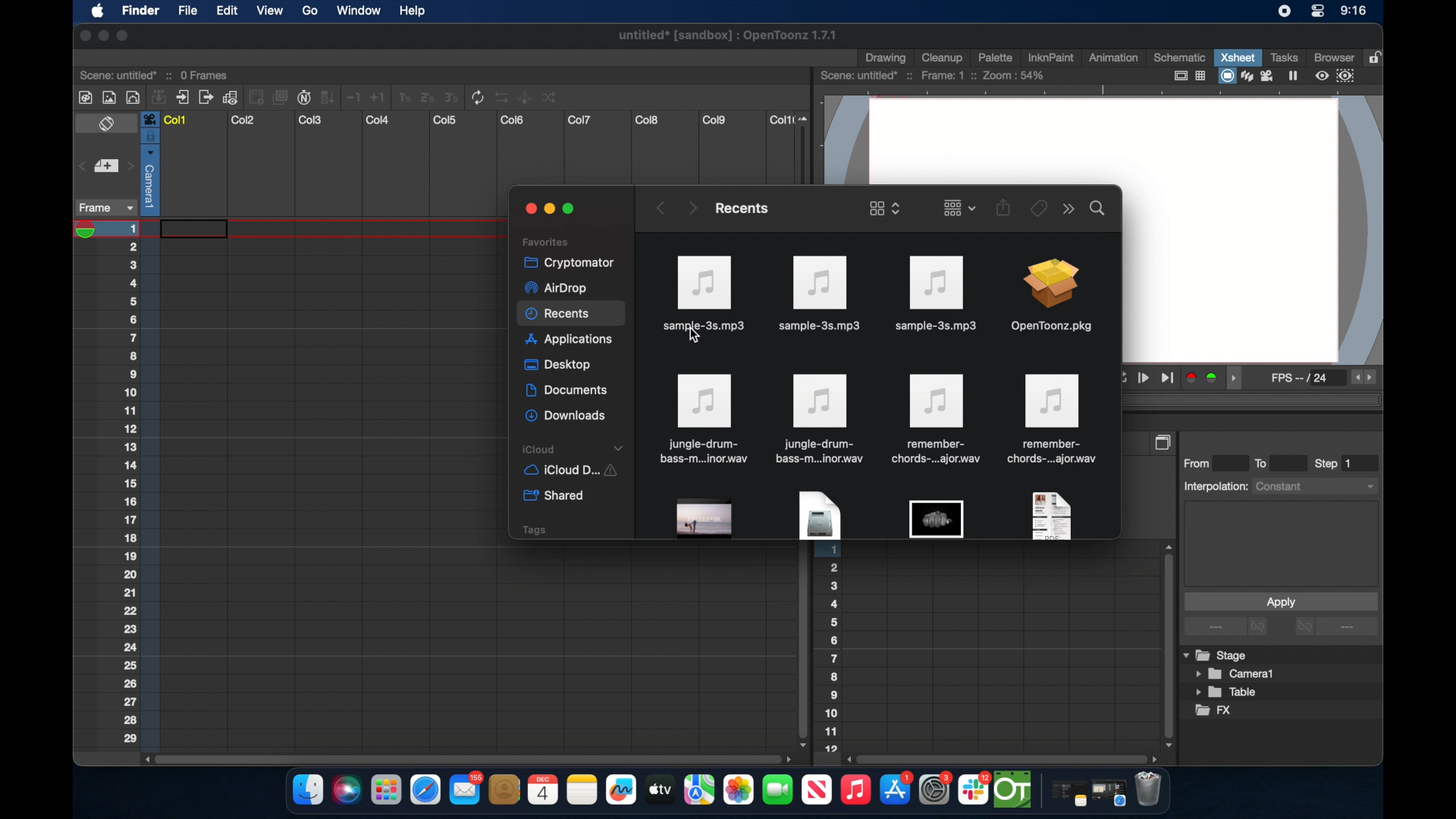  Describe the element at coordinates (855, 790) in the screenshot. I see `music` at that location.